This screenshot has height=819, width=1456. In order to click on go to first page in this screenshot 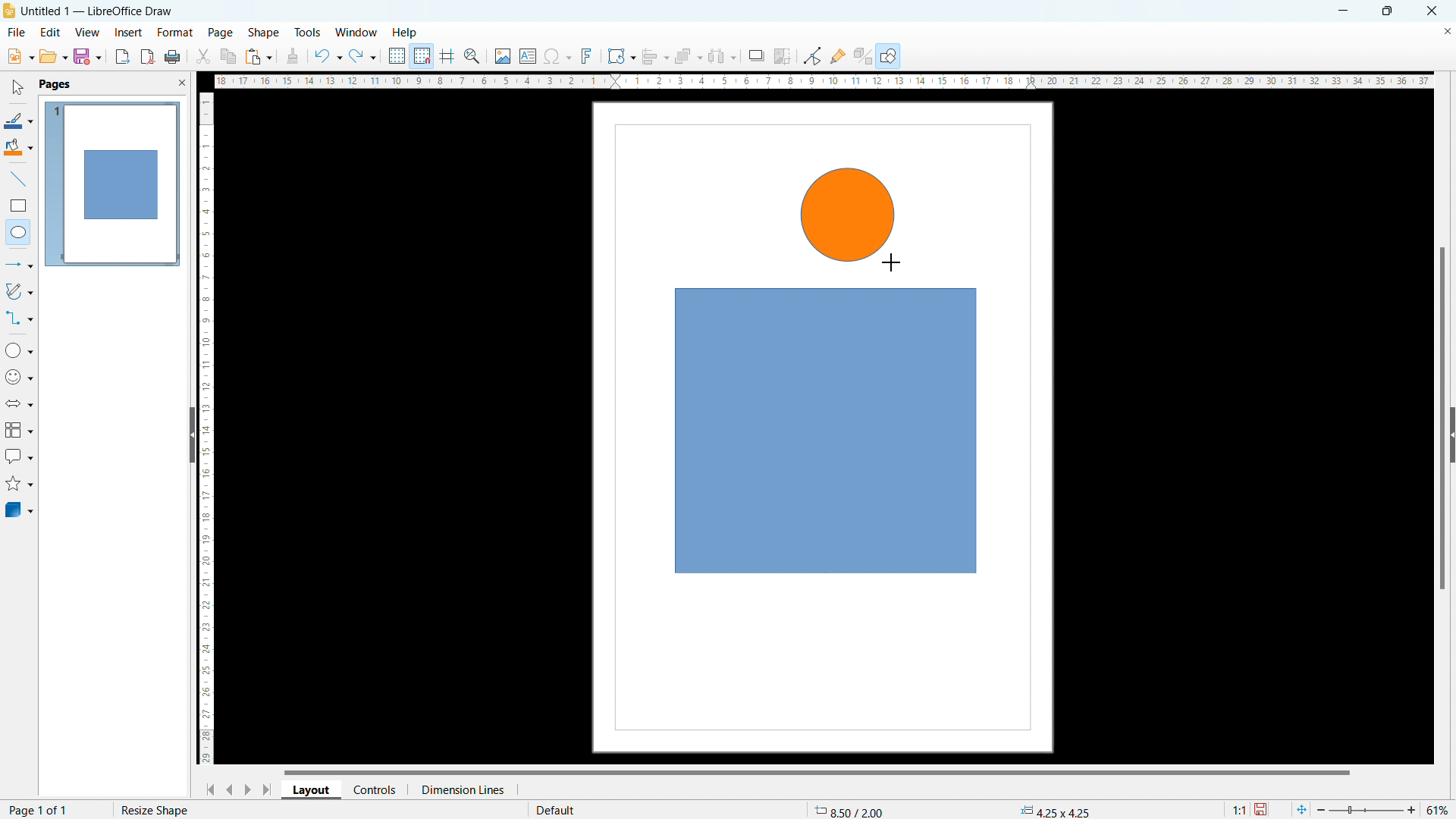, I will do `click(208, 789)`.